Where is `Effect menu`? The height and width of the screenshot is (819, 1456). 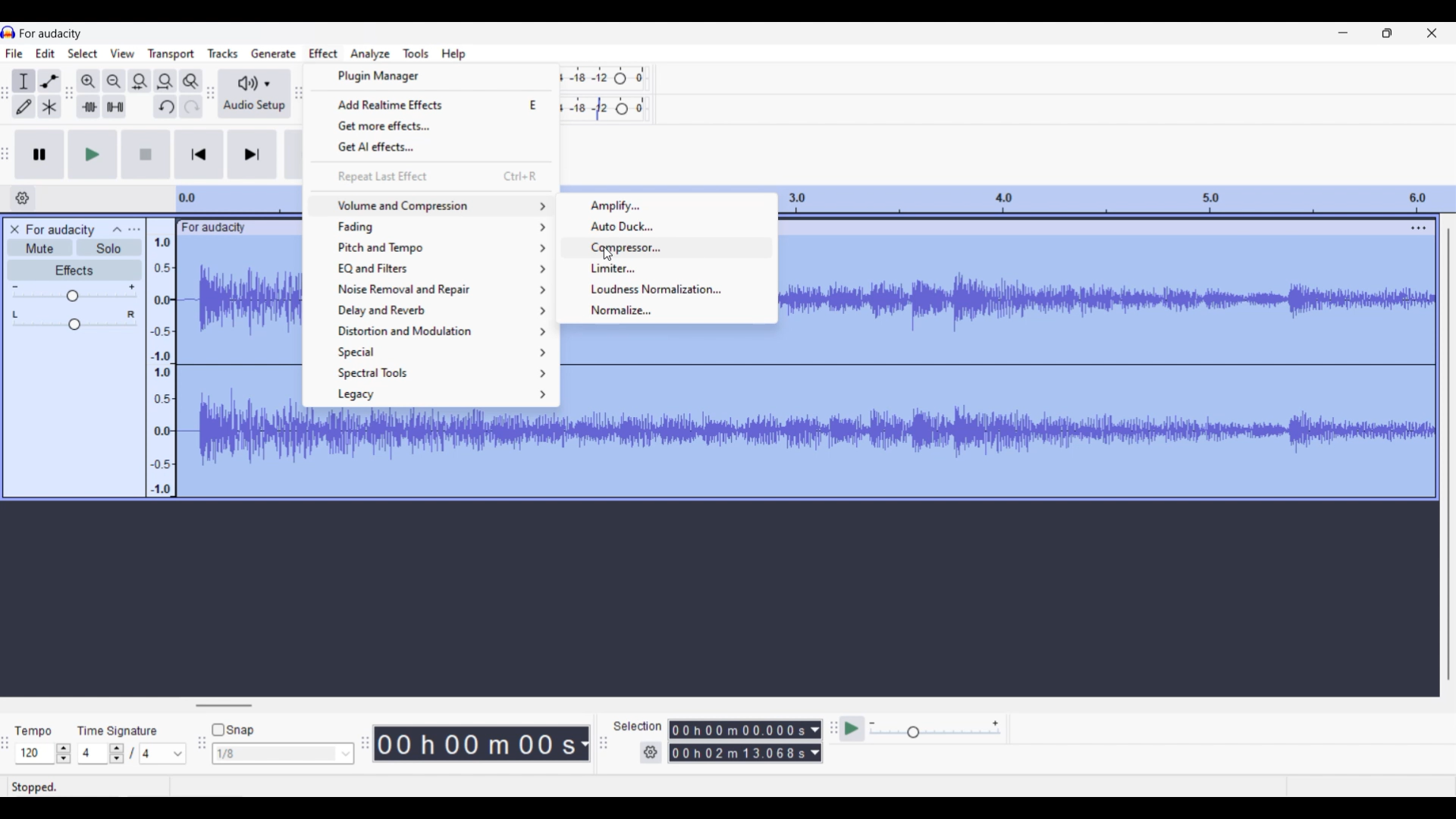
Effect menu is located at coordinates (323, 53).